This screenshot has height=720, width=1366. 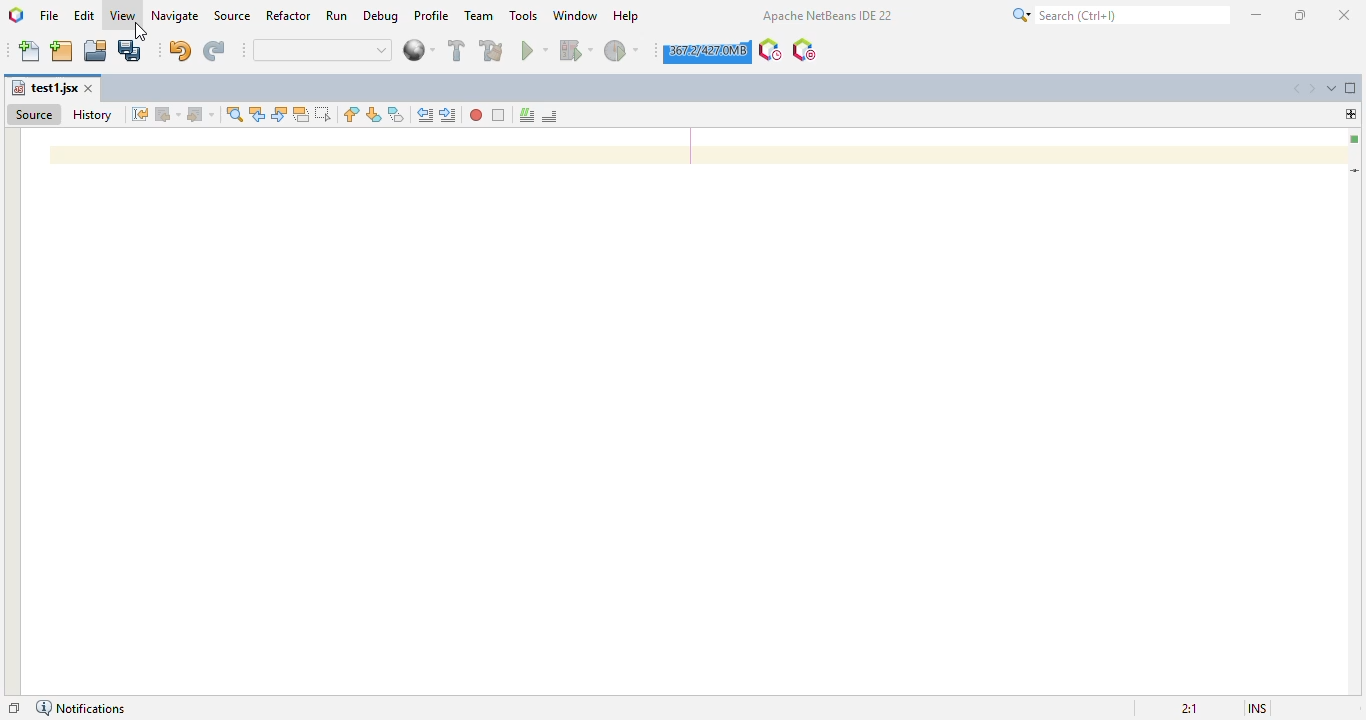 I want to click on maximize windoe, so click(x=1351, y=88).